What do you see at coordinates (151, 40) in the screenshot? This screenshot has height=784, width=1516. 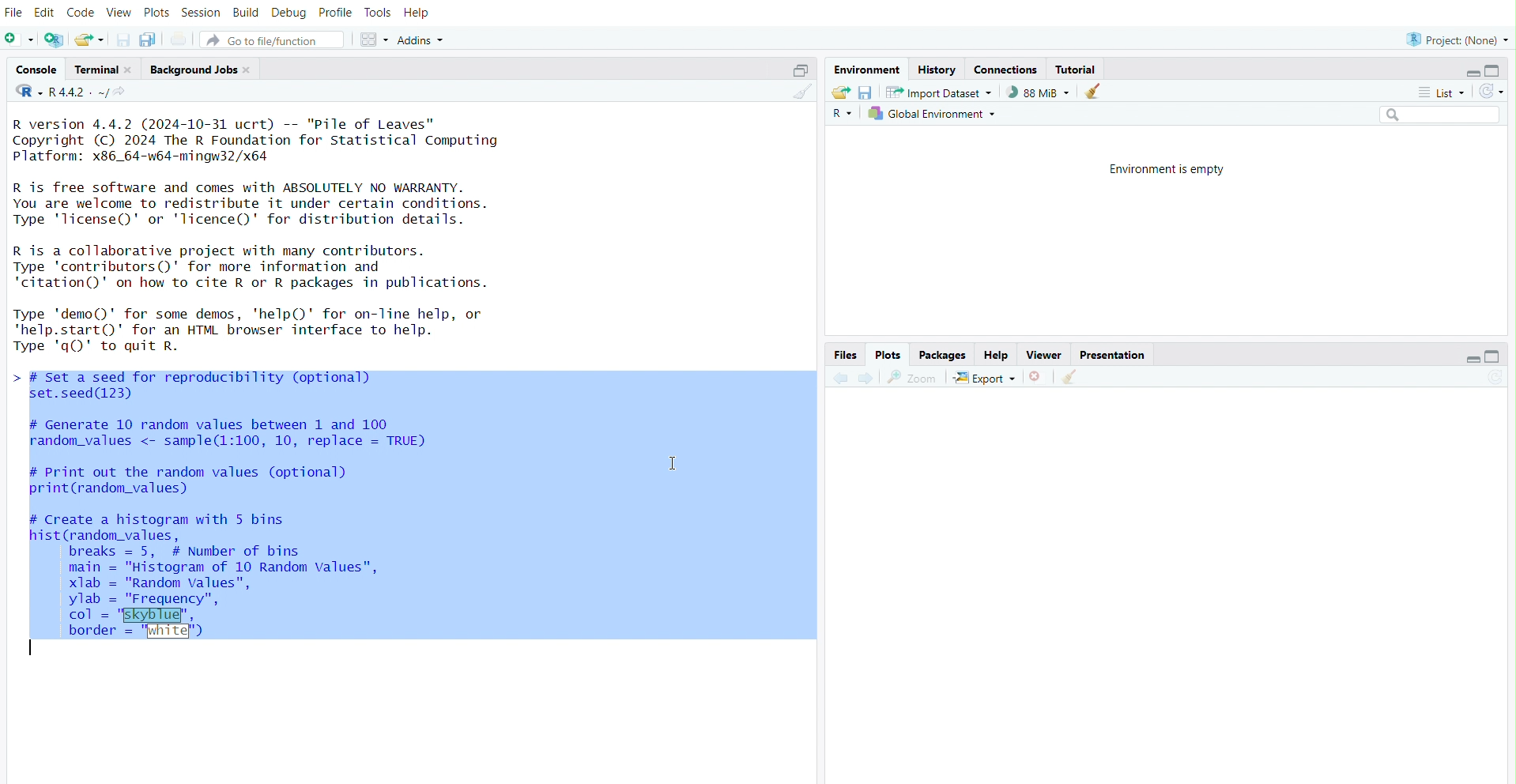 I see `save all open documents` at bounding box center [151, 40].